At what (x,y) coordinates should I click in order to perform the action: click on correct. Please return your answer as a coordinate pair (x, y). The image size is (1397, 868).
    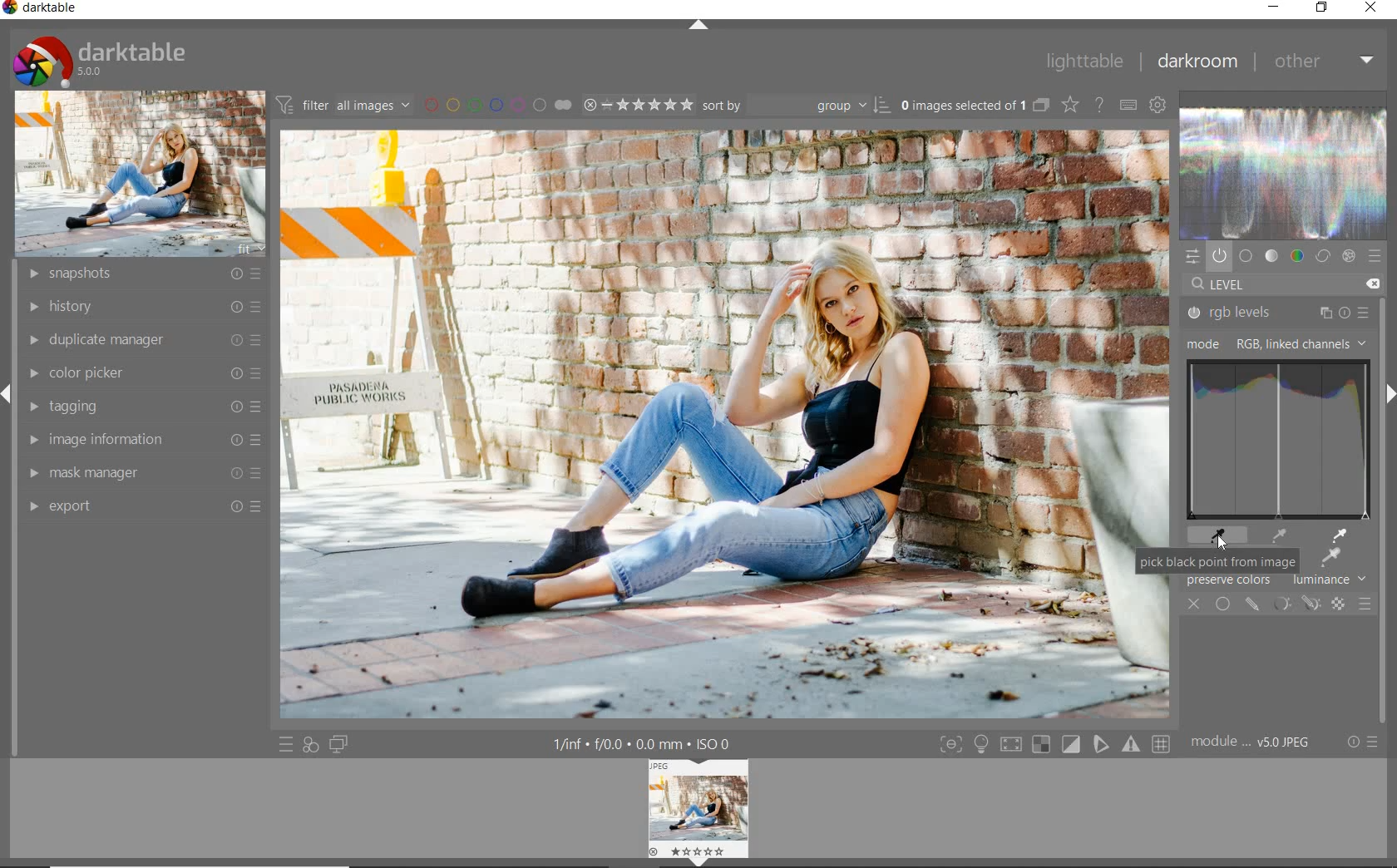
    Looking at the image, I should click on (1323, 255).